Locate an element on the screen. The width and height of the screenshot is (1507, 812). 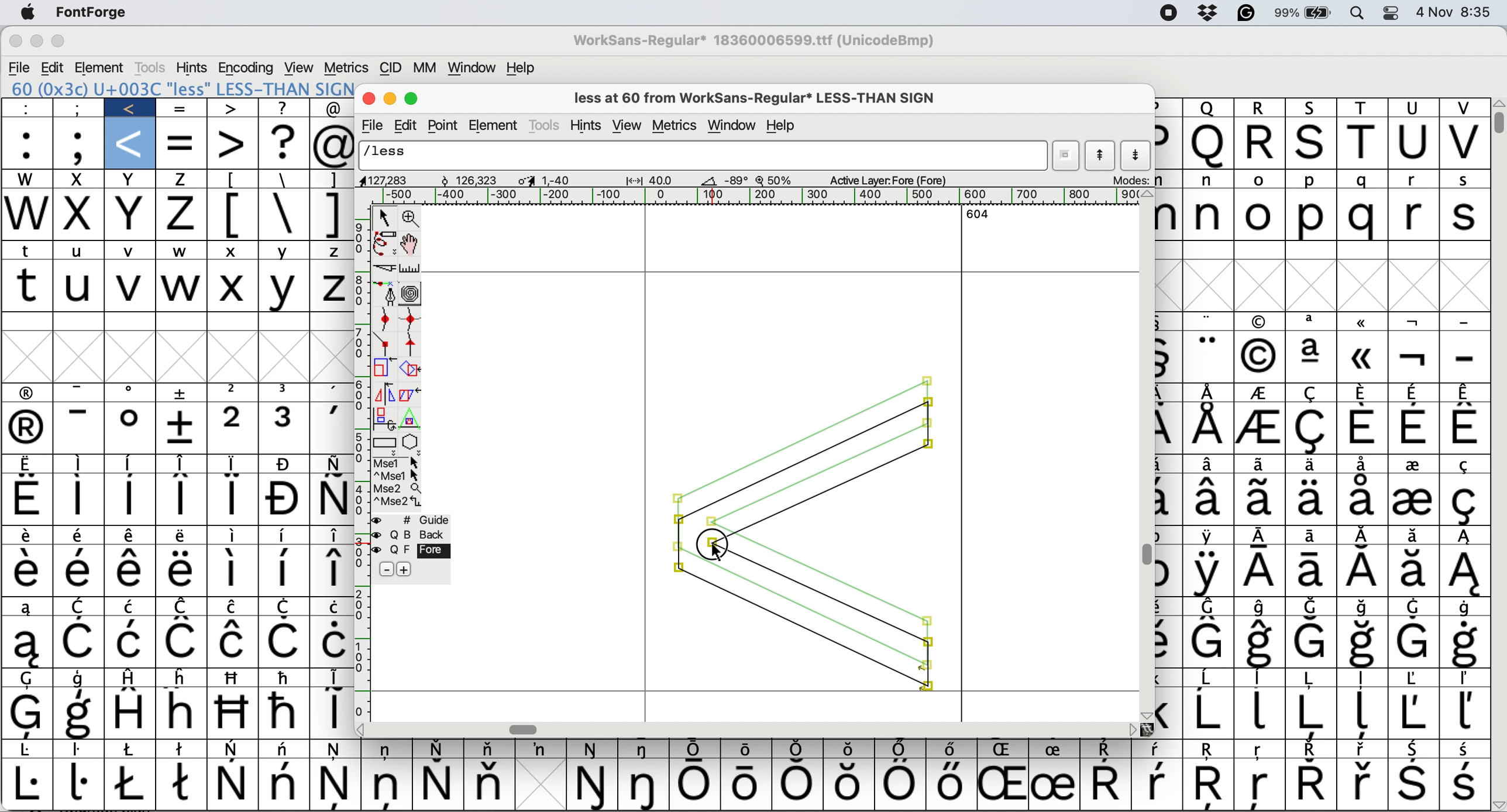
Symbol is located at coordinates (851, 784).